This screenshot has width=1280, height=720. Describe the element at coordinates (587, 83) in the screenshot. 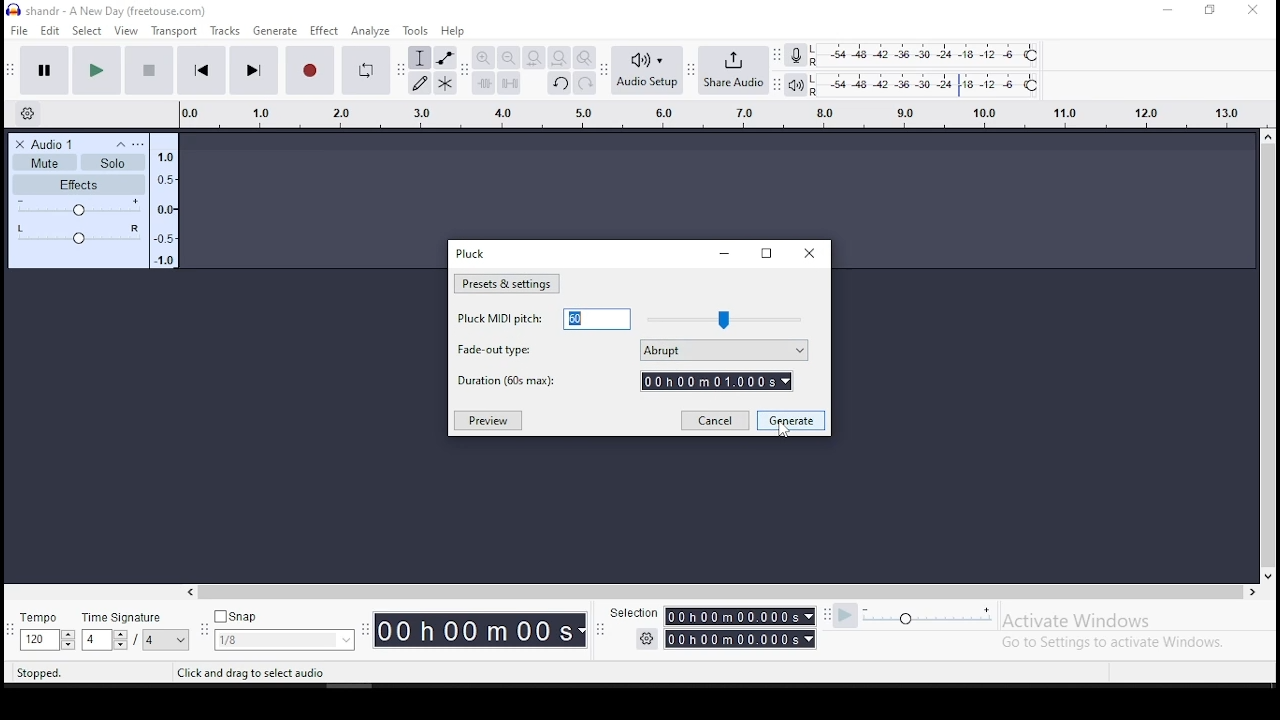

I see `redo` at that location.